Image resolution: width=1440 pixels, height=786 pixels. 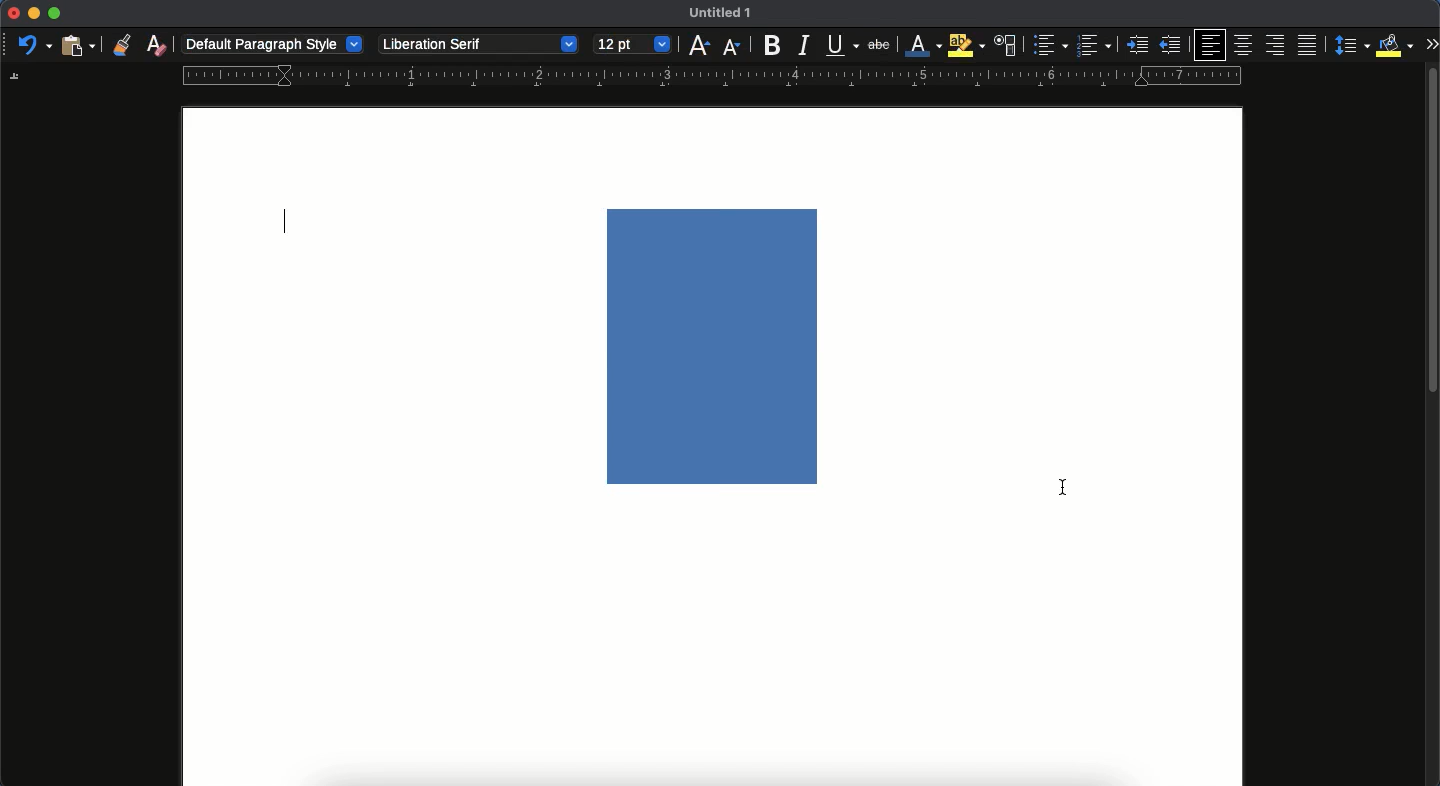 I want to click on paragraph spacing, so click(x=1348, y=45).